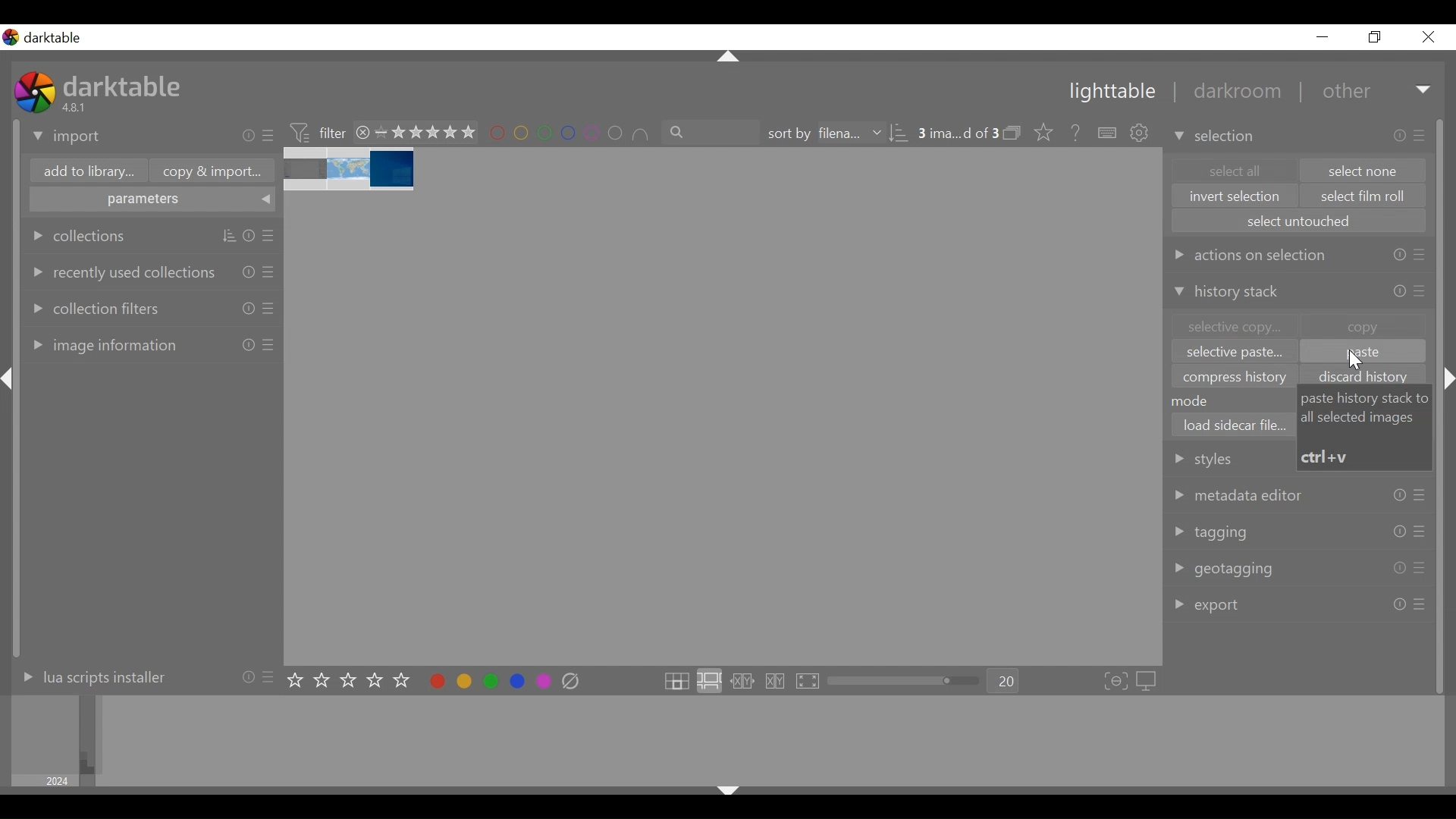 The image size is (1456, 819). What do you see at coordinates (809, 682) in the screenshot?
I see `click to enter full preview layout` at bounding box center [809, 682].